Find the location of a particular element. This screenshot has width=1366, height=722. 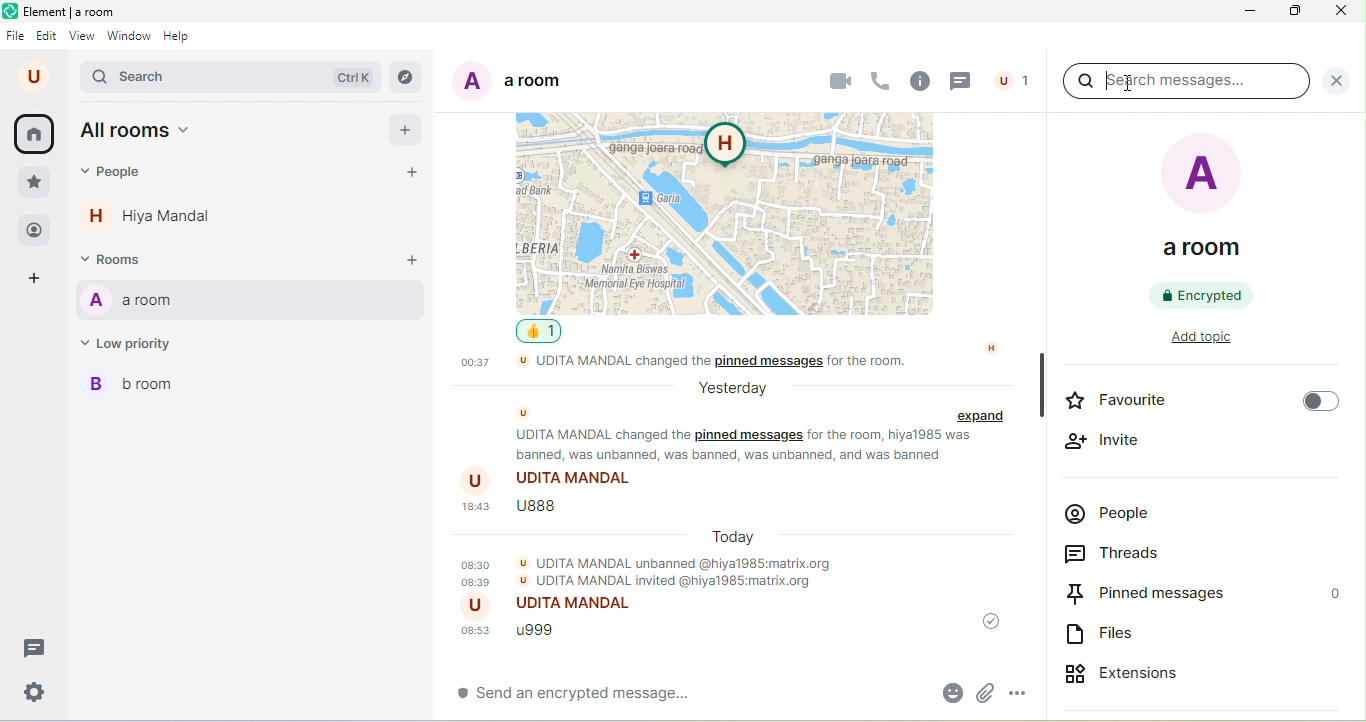

search is located at coordinates (234, 78).